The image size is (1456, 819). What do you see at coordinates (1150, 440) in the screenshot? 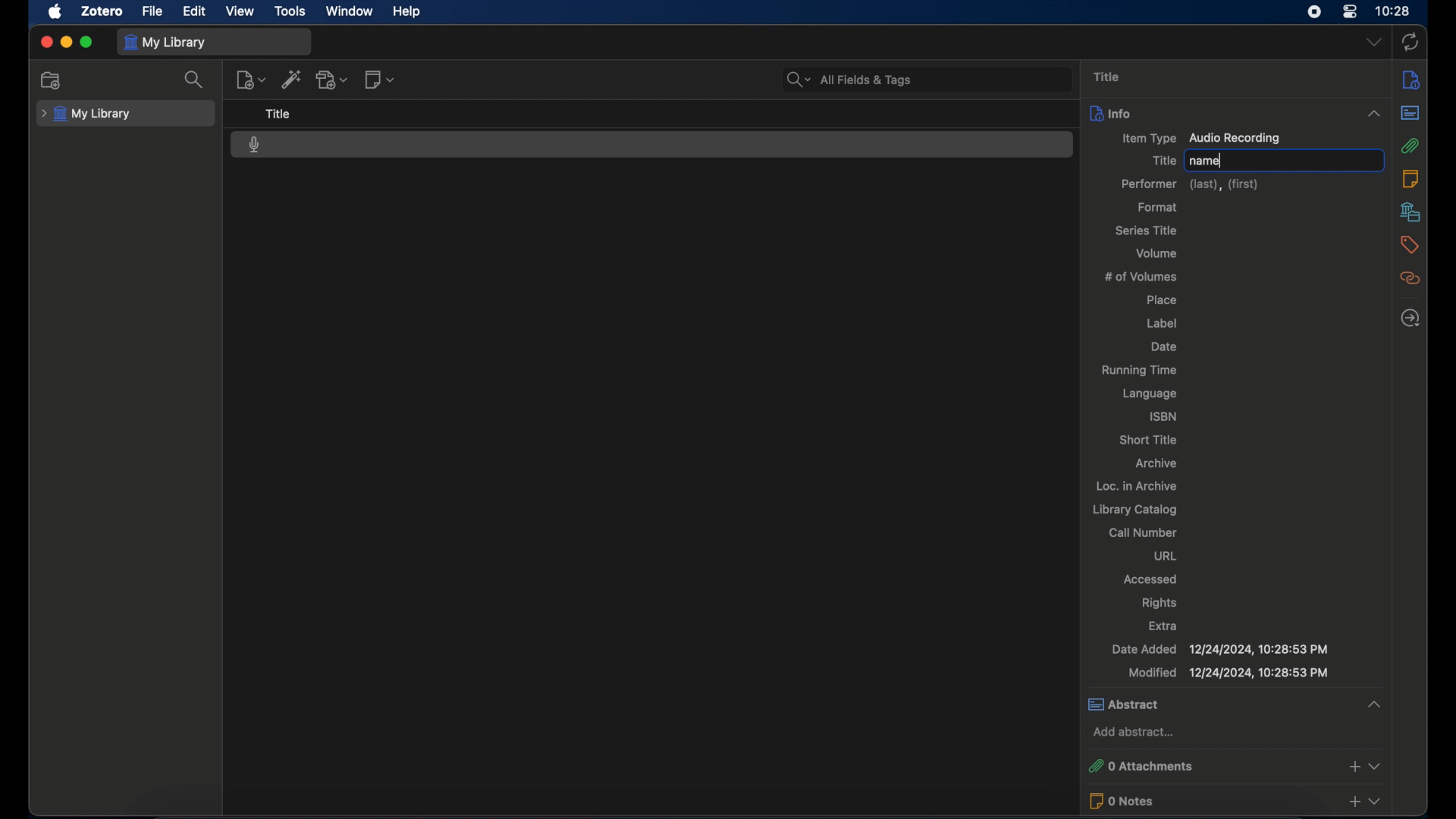
I see `short title` at bounding box center [1150, 440].